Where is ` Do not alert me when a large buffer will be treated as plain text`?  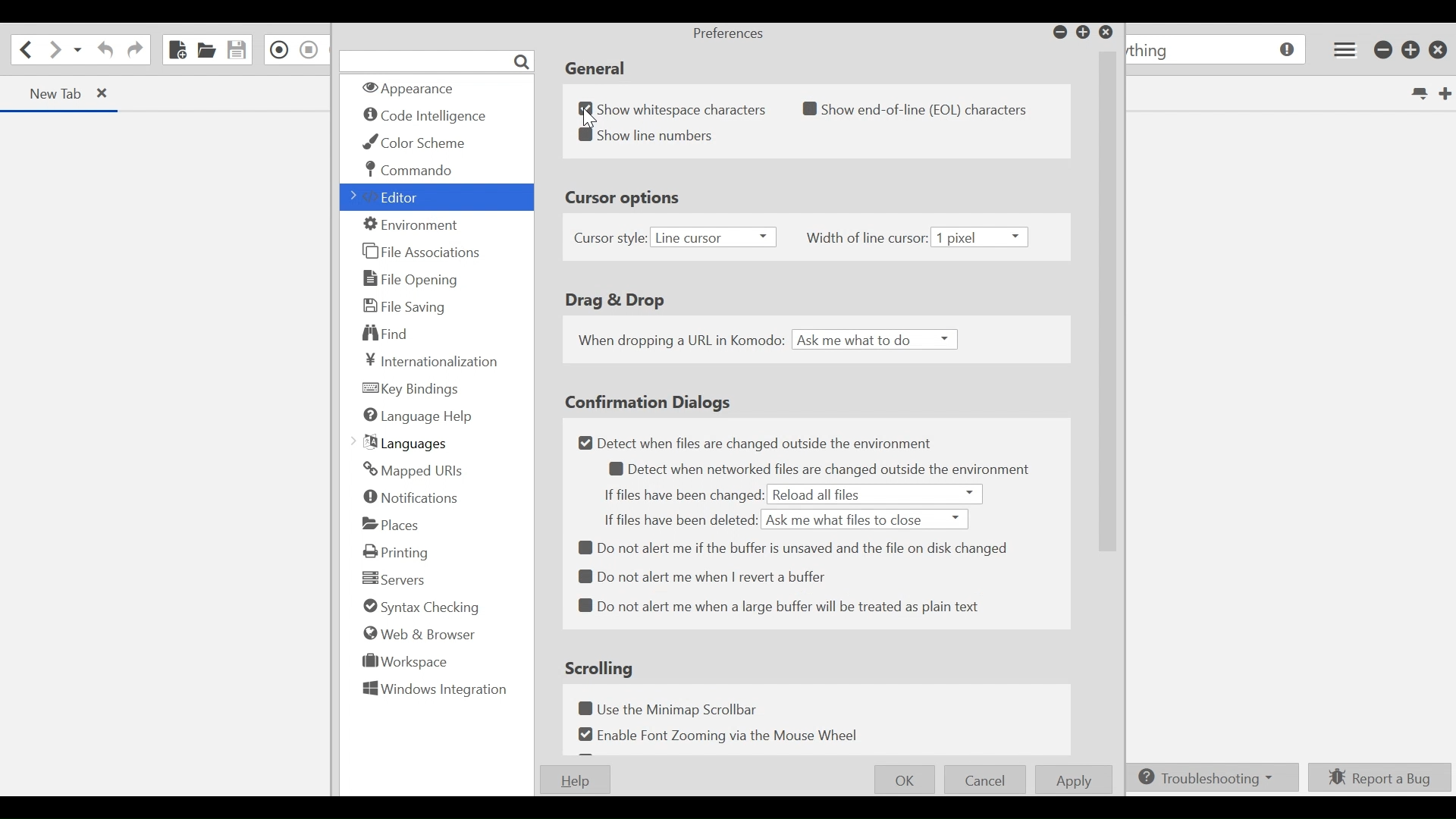  Do not alert me when a large buffer will be treated as plain text is located at coordinates (777, 607).